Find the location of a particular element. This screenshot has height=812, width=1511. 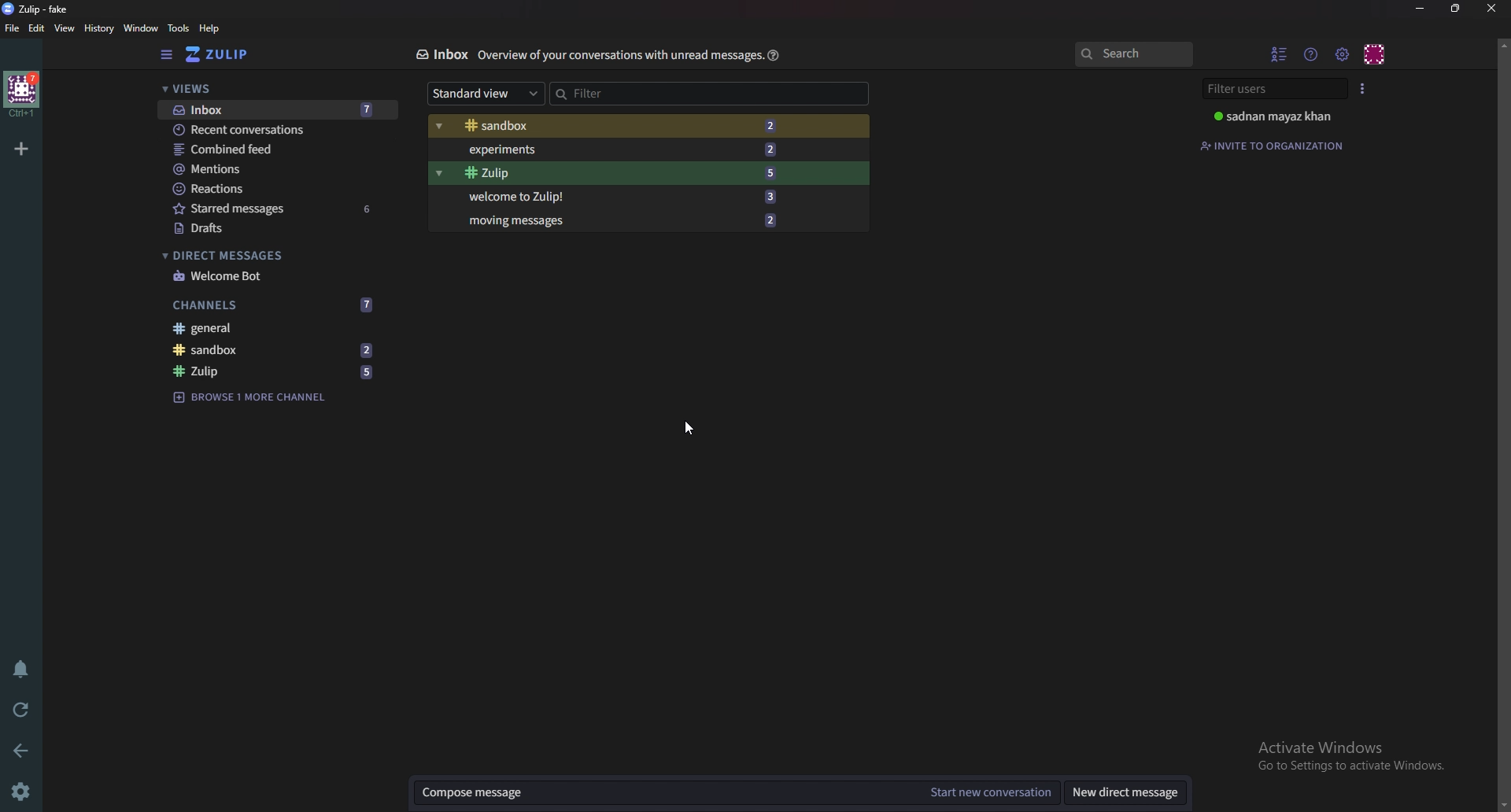

General is located at coordinates (268, 327).